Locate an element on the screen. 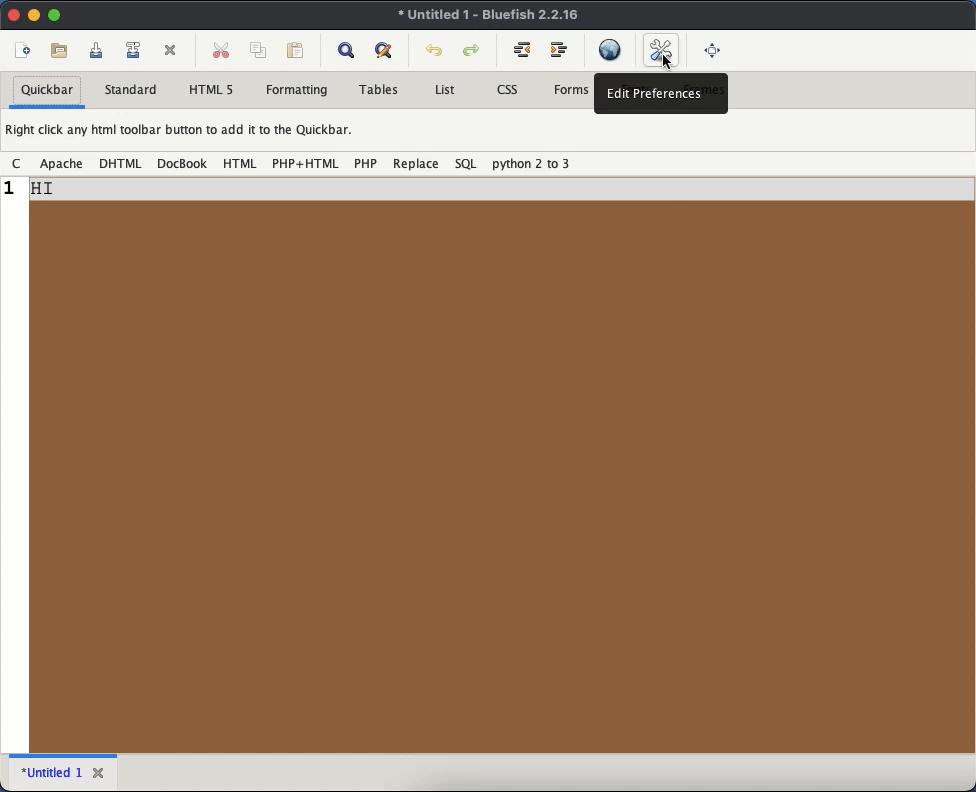  untitled 1 is located at coordinates (51, 772).